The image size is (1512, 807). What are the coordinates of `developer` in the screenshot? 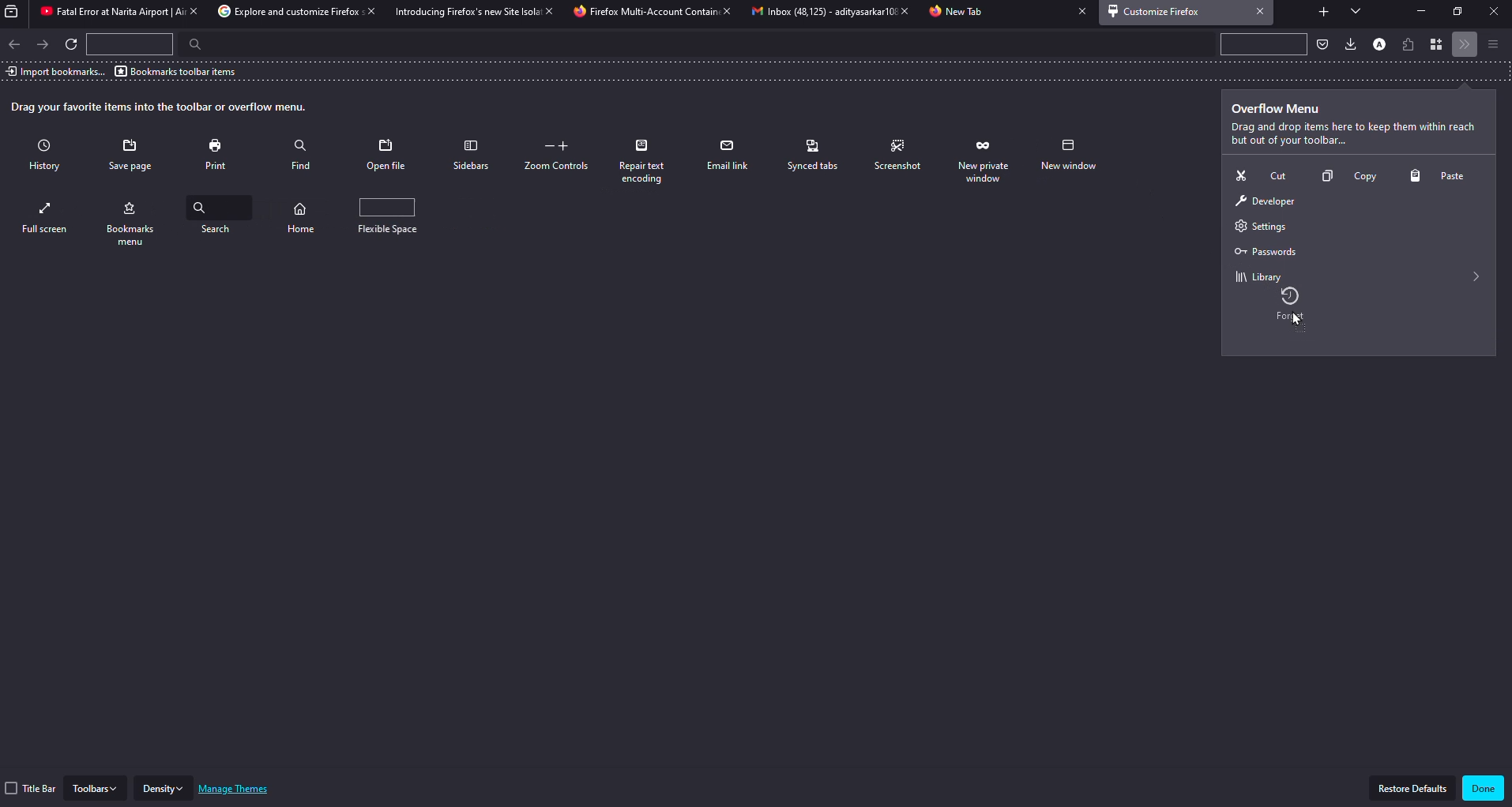 It's located at (1264, 202).